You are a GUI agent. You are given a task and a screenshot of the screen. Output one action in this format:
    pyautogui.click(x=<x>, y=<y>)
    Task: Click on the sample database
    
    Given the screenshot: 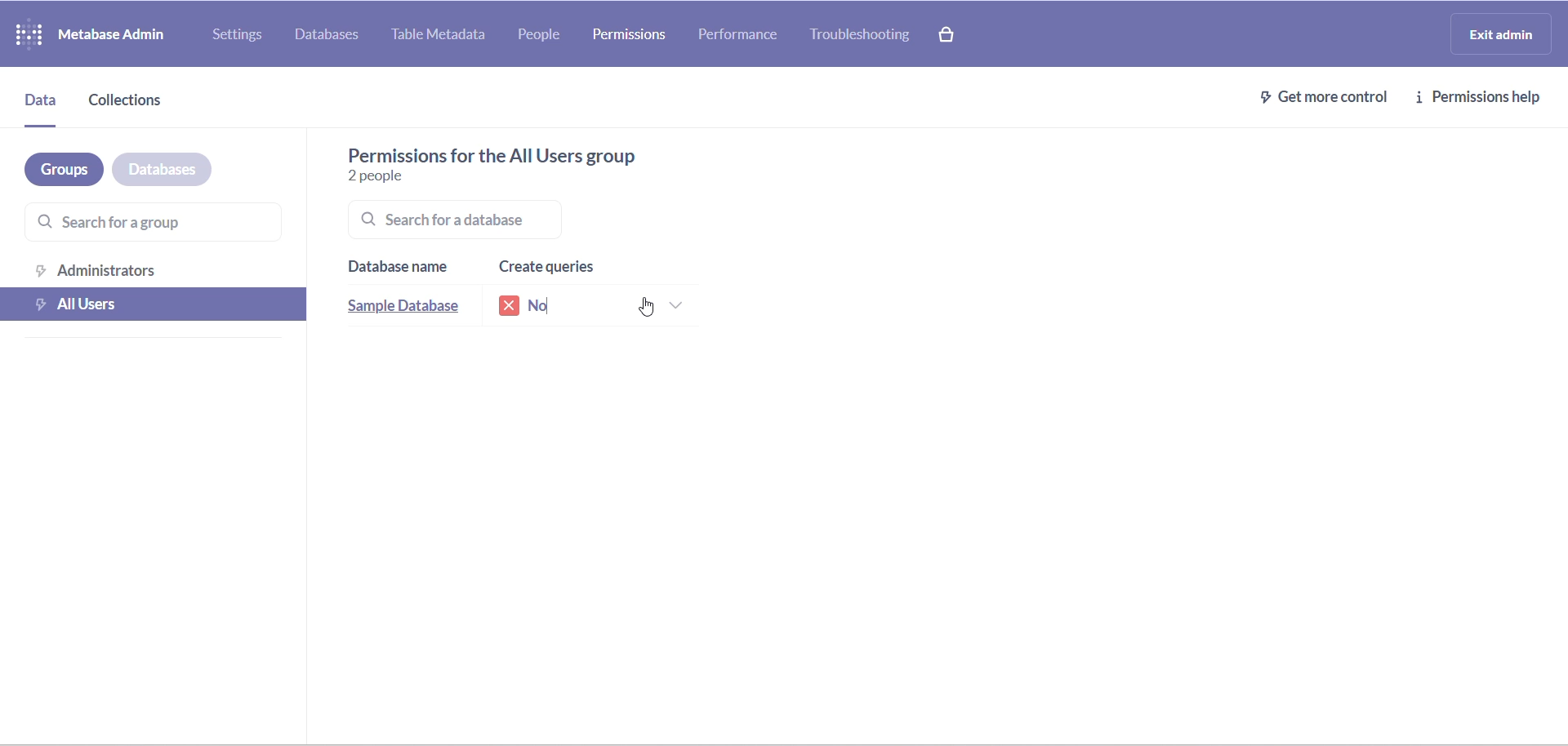 What is the action you would take?
    pyautogui.click(x=410, y=309)
    